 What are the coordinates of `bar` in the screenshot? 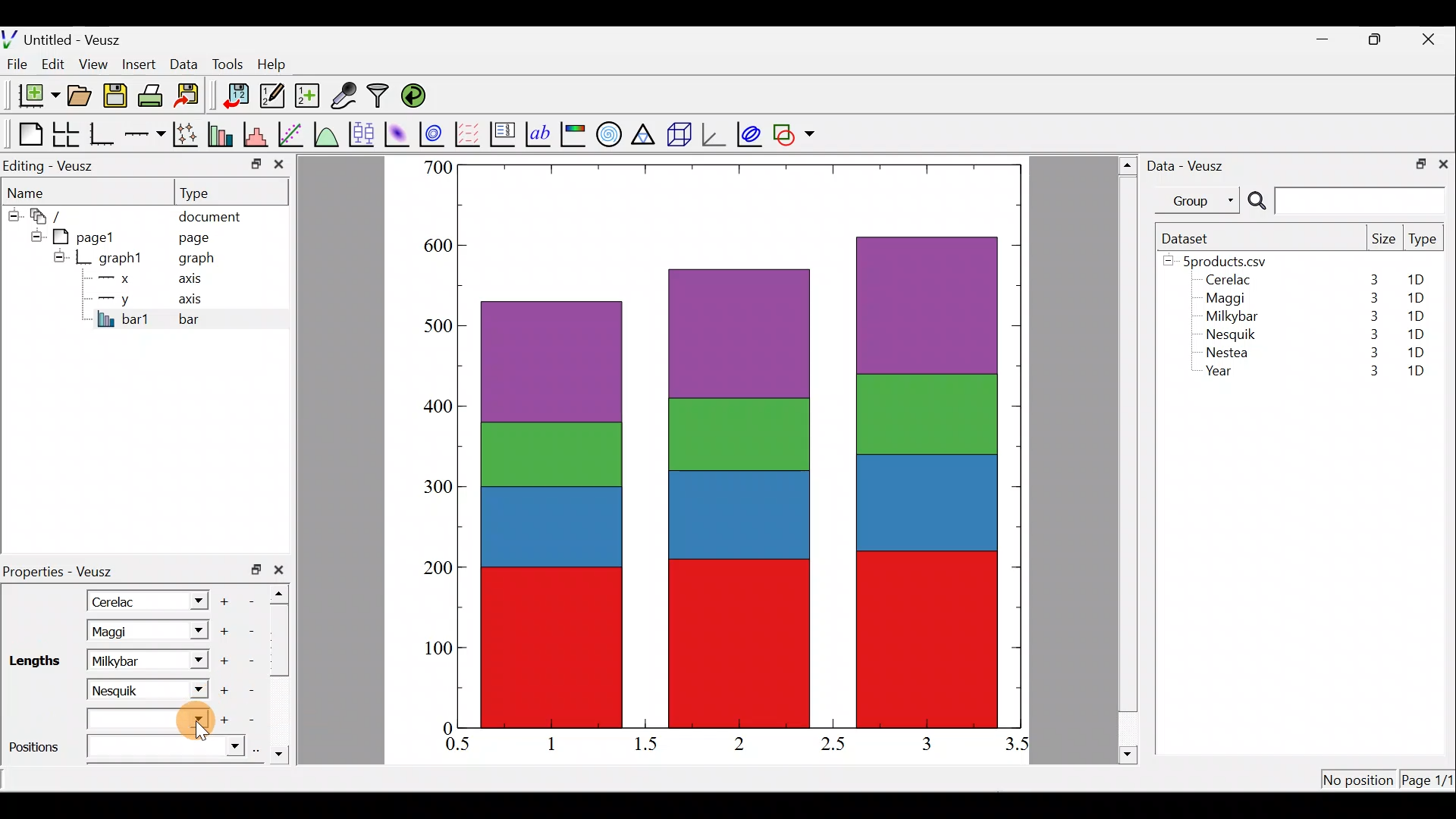 It's located at (214, 318).